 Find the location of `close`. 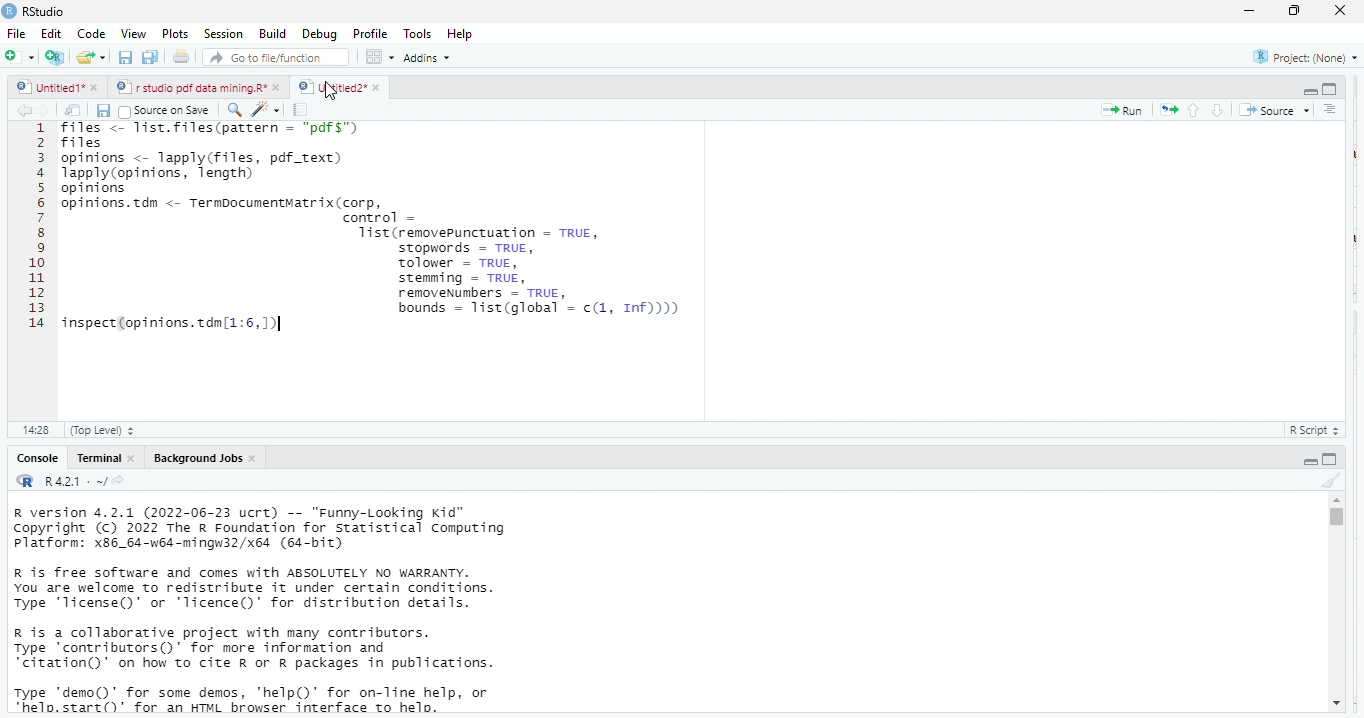

close is located at coordinates (132, 458).